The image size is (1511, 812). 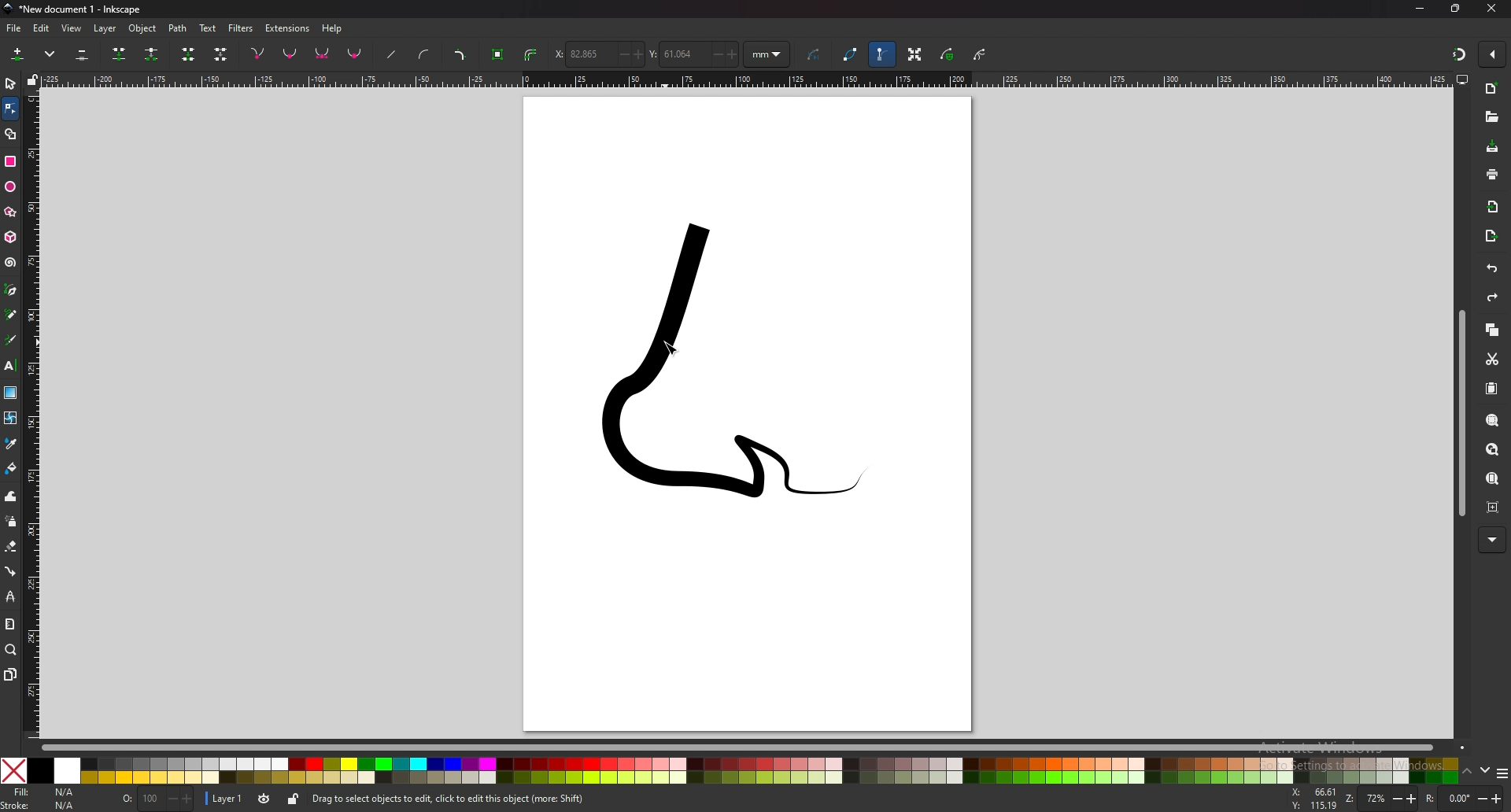 I want to click on display view, so click(x=1462, y=80).